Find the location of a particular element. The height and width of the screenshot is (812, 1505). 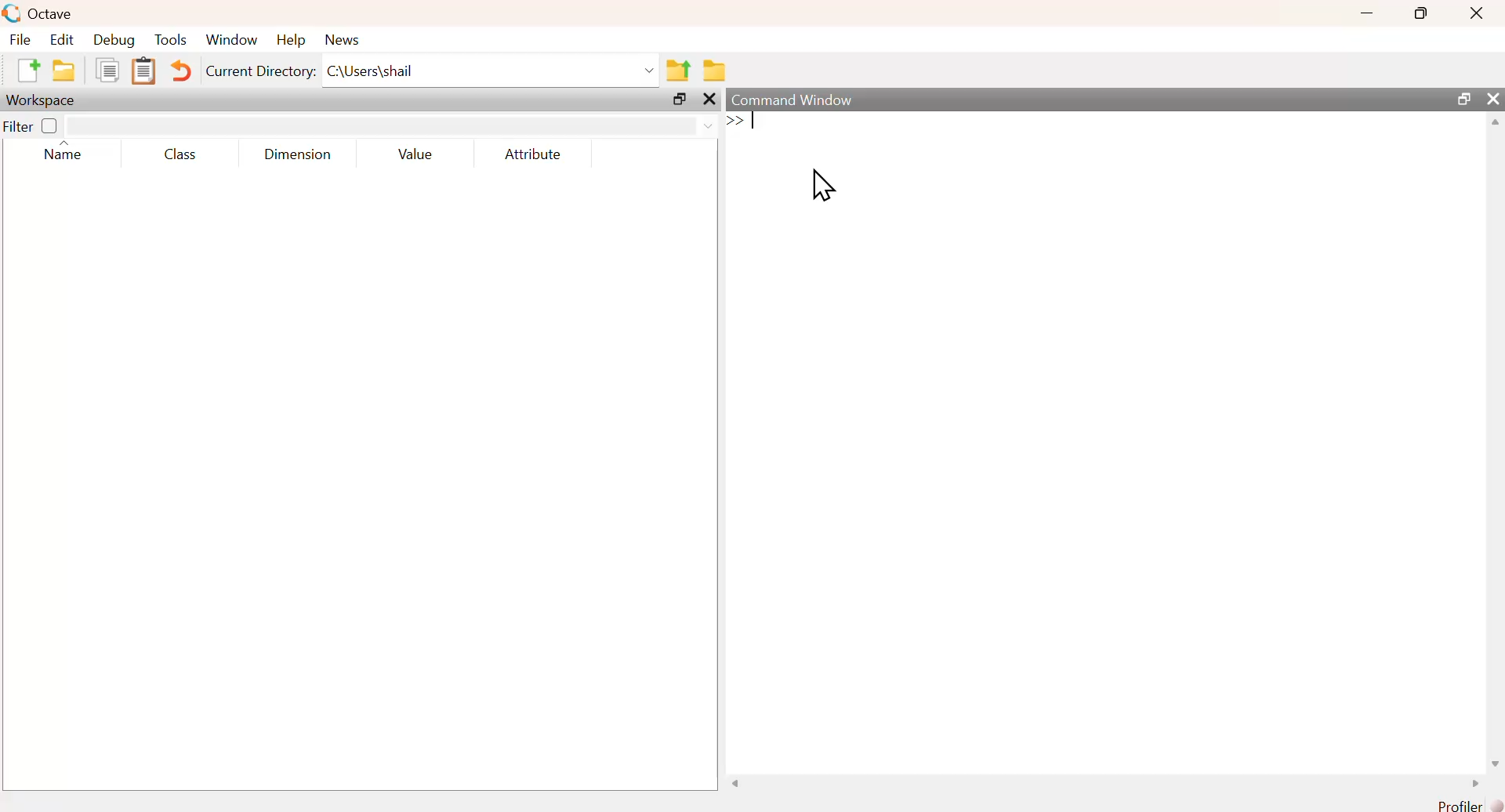

Tools is located at coordinates (172, 39).